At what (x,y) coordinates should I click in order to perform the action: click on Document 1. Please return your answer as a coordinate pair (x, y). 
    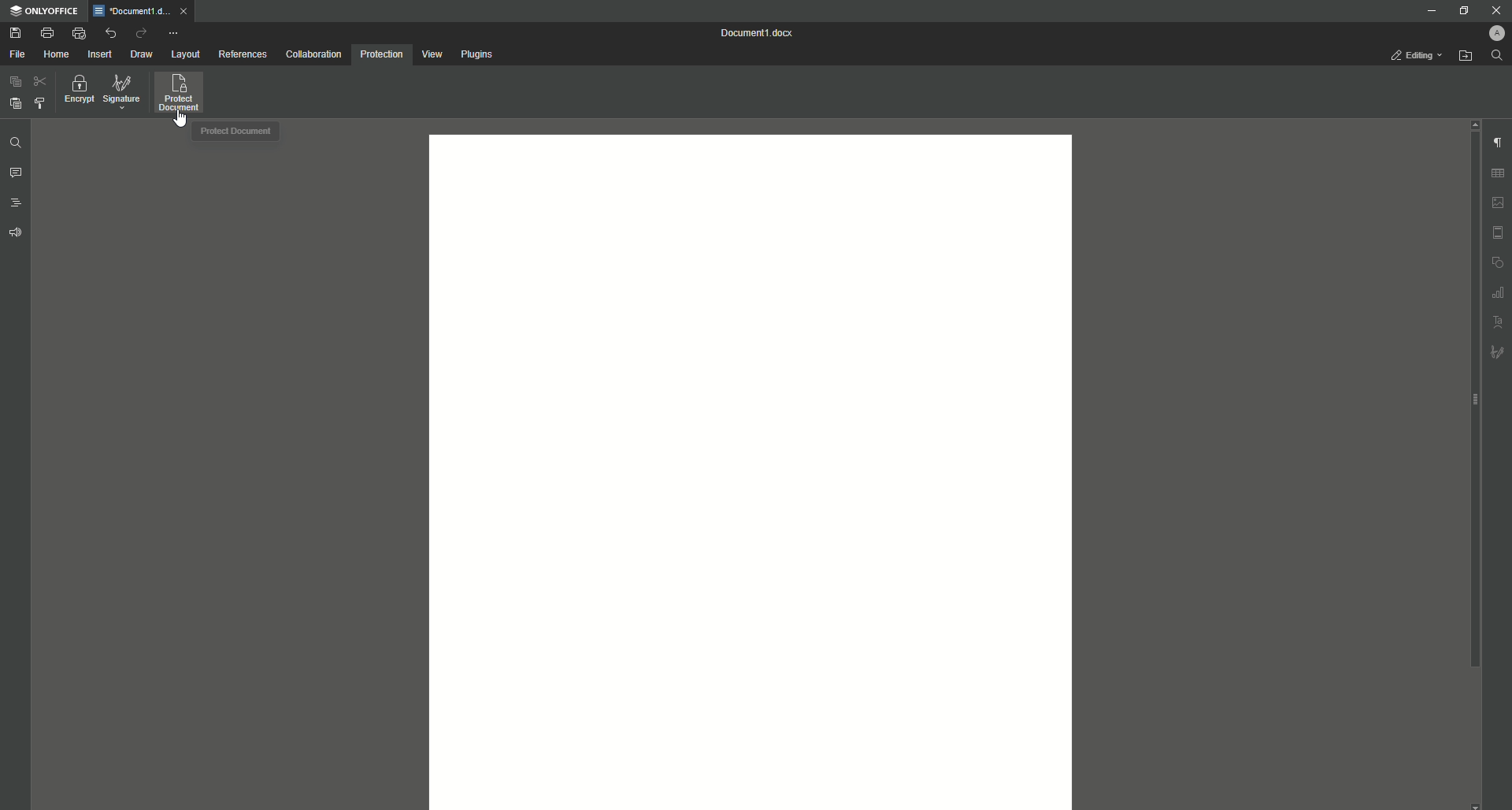
    Looking at the image, I should click on (760, 33).